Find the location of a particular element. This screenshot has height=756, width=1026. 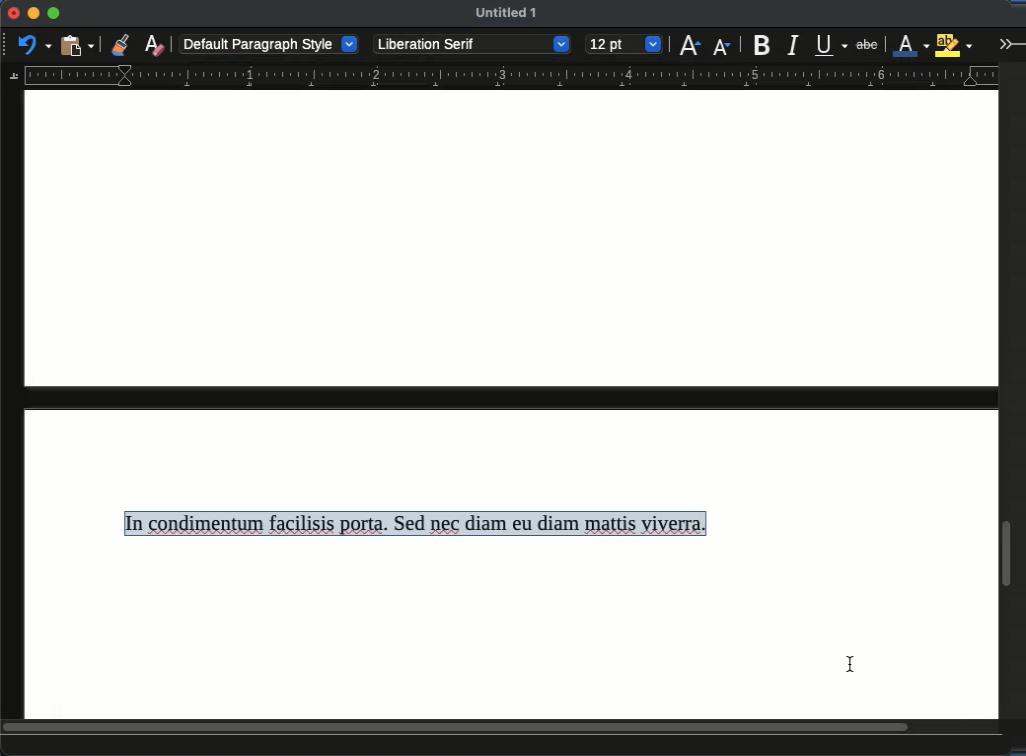

maximize  is located at coordinates (53, 14).